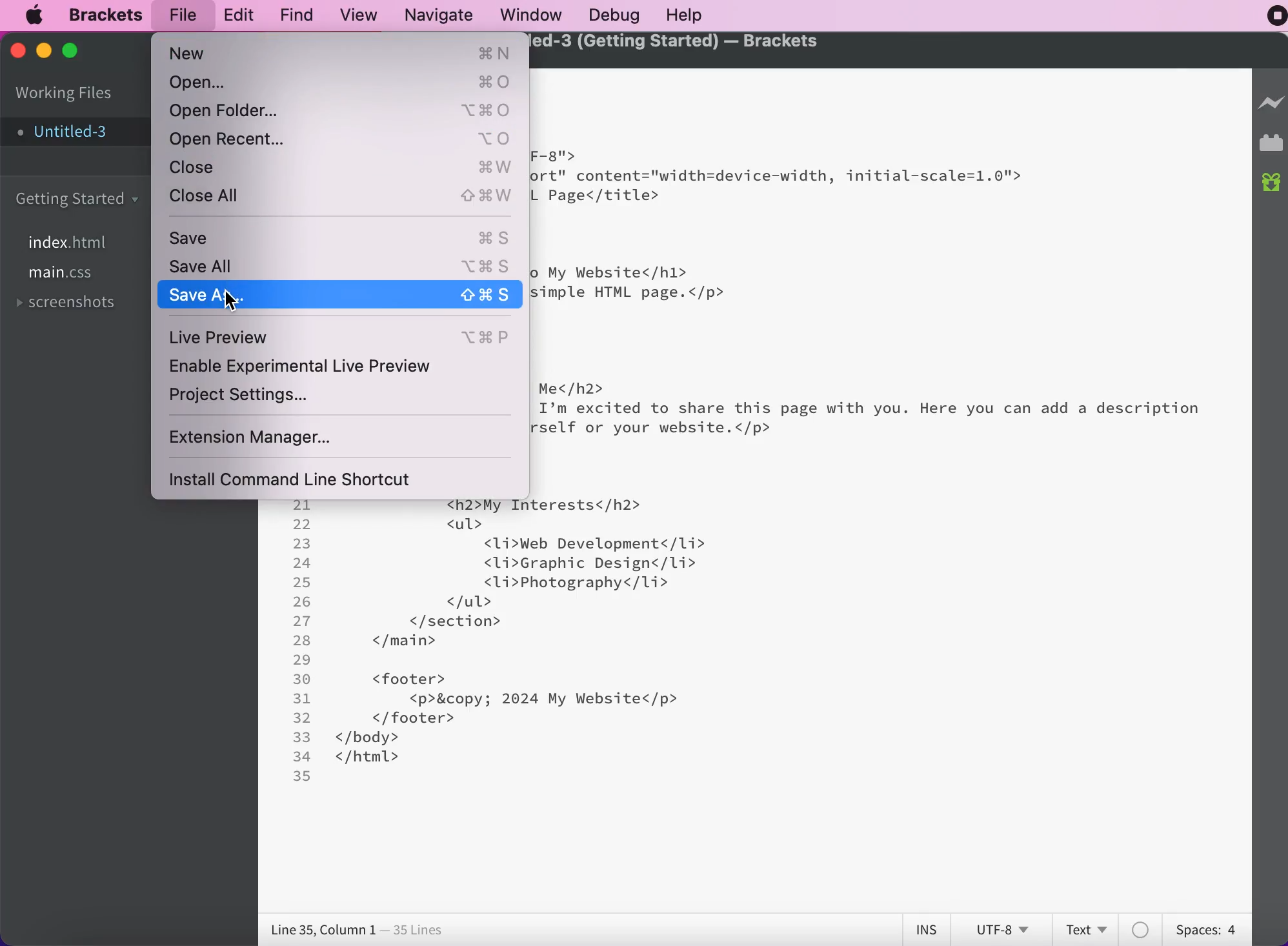 The image size is (1288, 946). What do you see at coordinates (1141, 927) in the screenshot?
I see `color` at bounding box center [1141, 927].